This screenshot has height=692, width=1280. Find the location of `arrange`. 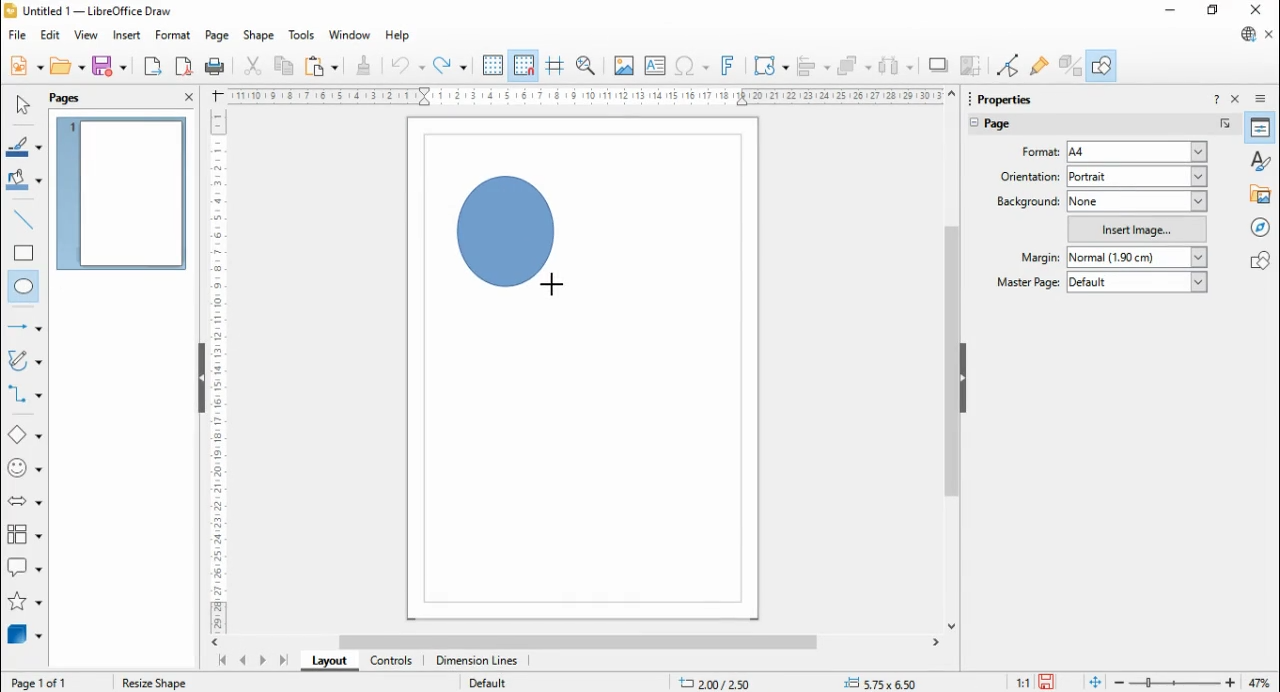

arrange is located at coordinates (855, 66).